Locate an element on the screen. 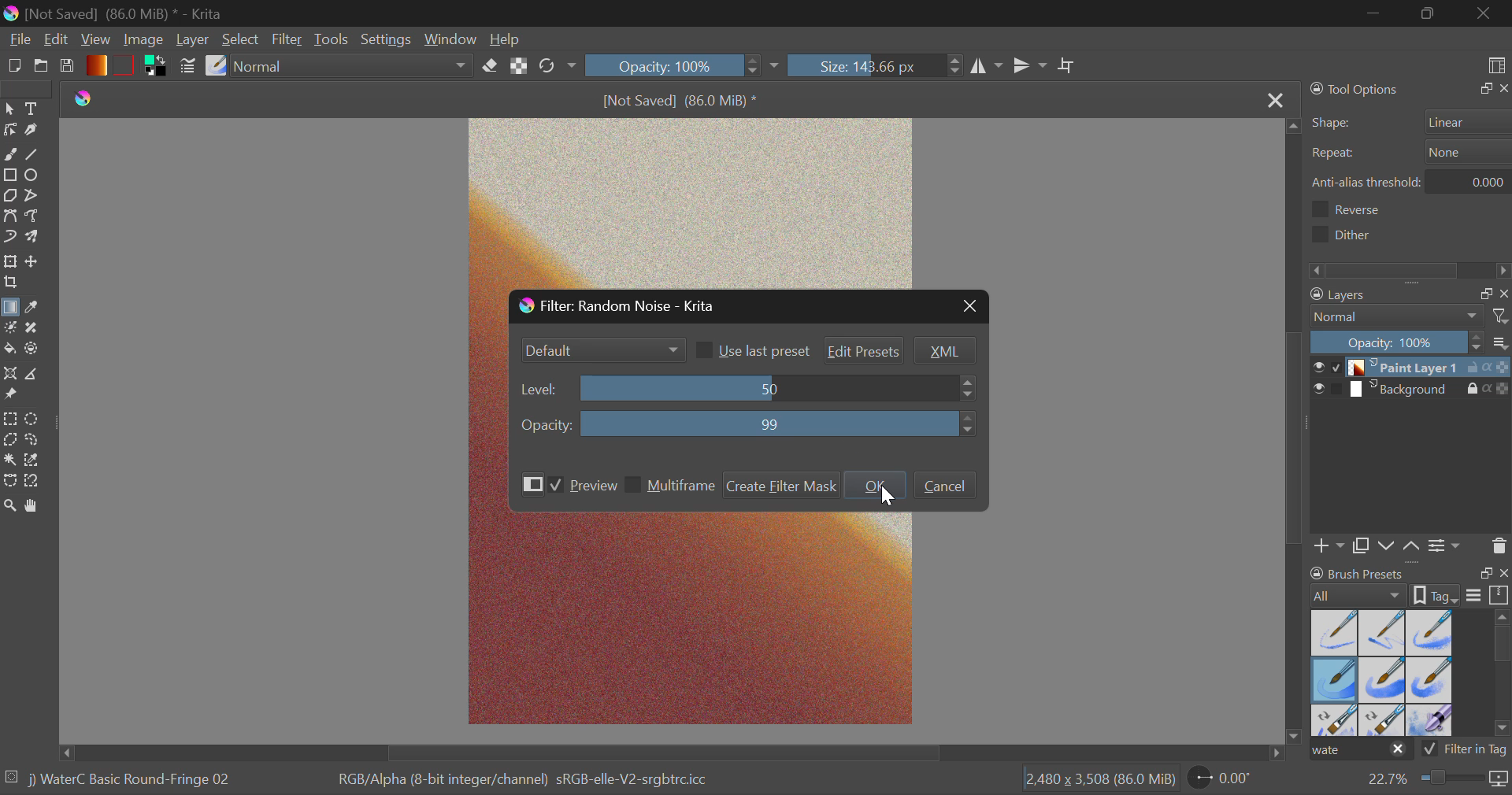  scale is located at coordinates (1499, 596).